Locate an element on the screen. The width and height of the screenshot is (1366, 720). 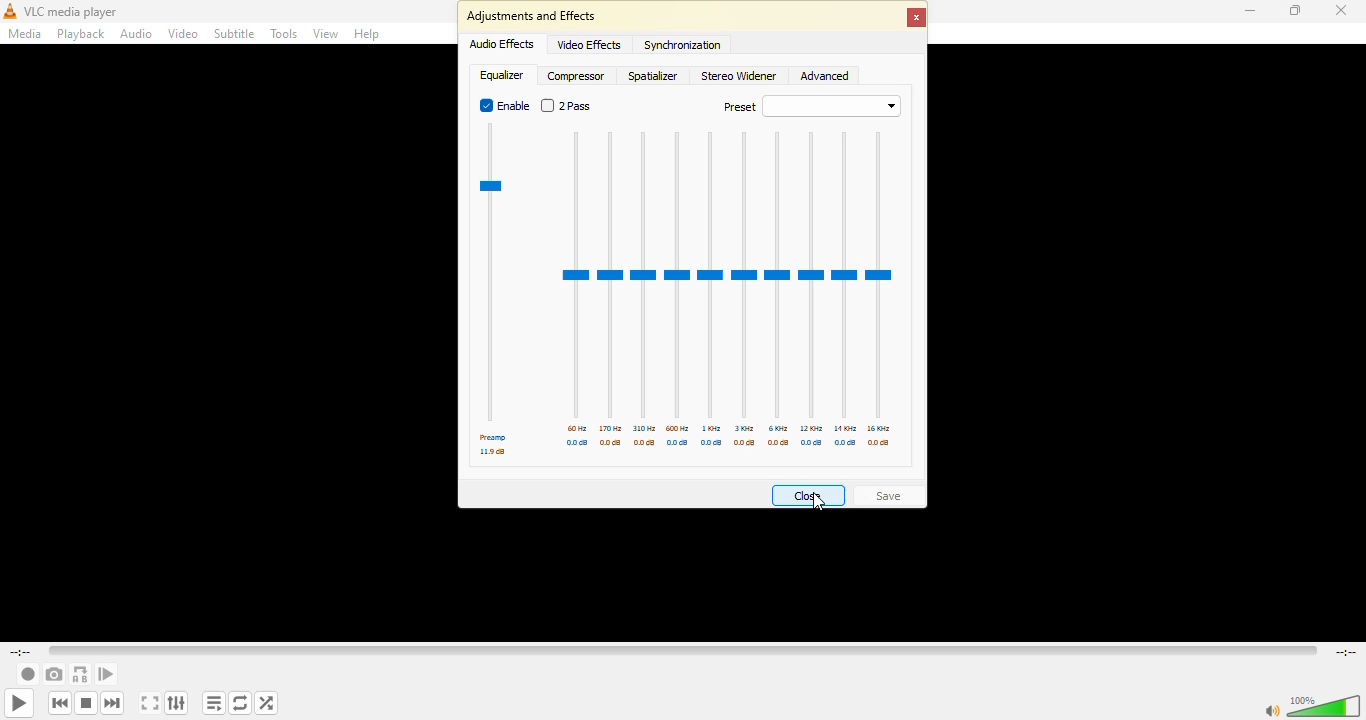
synchronization is located at coordinates (685, 46).